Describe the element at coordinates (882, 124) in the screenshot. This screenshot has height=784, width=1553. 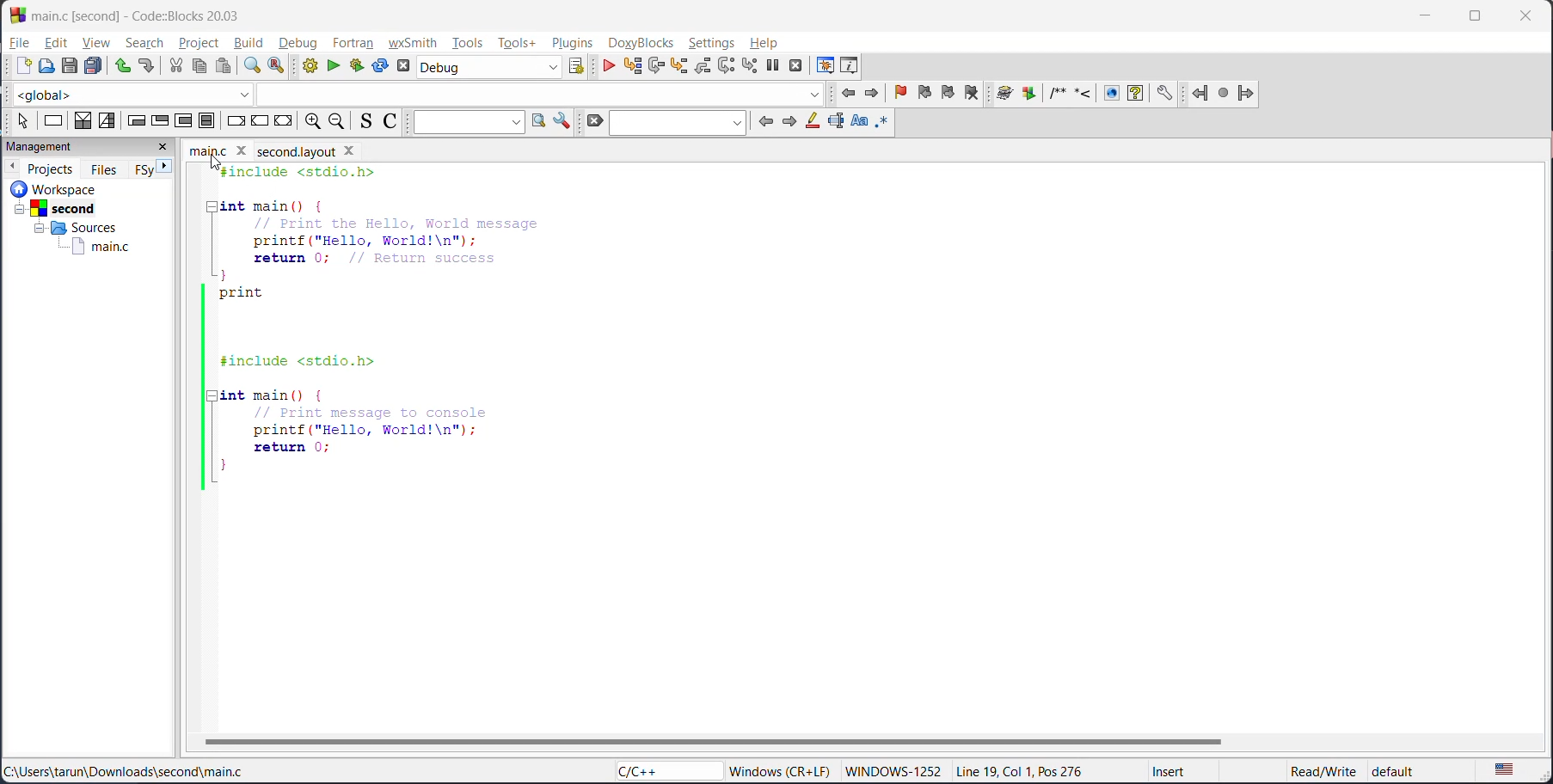
I see `regex` at that location.